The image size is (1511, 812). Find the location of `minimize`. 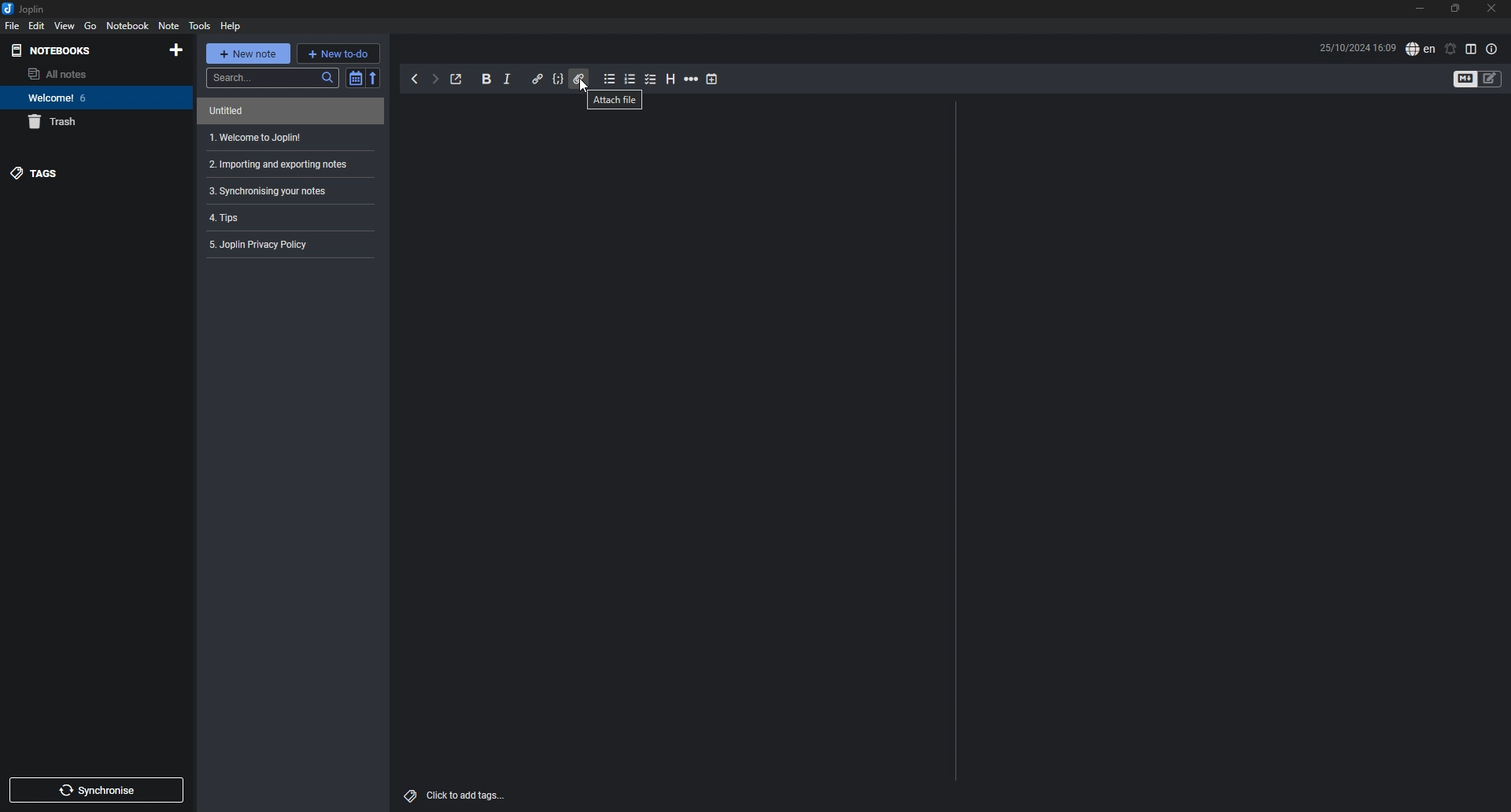

minimize is located at coordinates (1420, 9).